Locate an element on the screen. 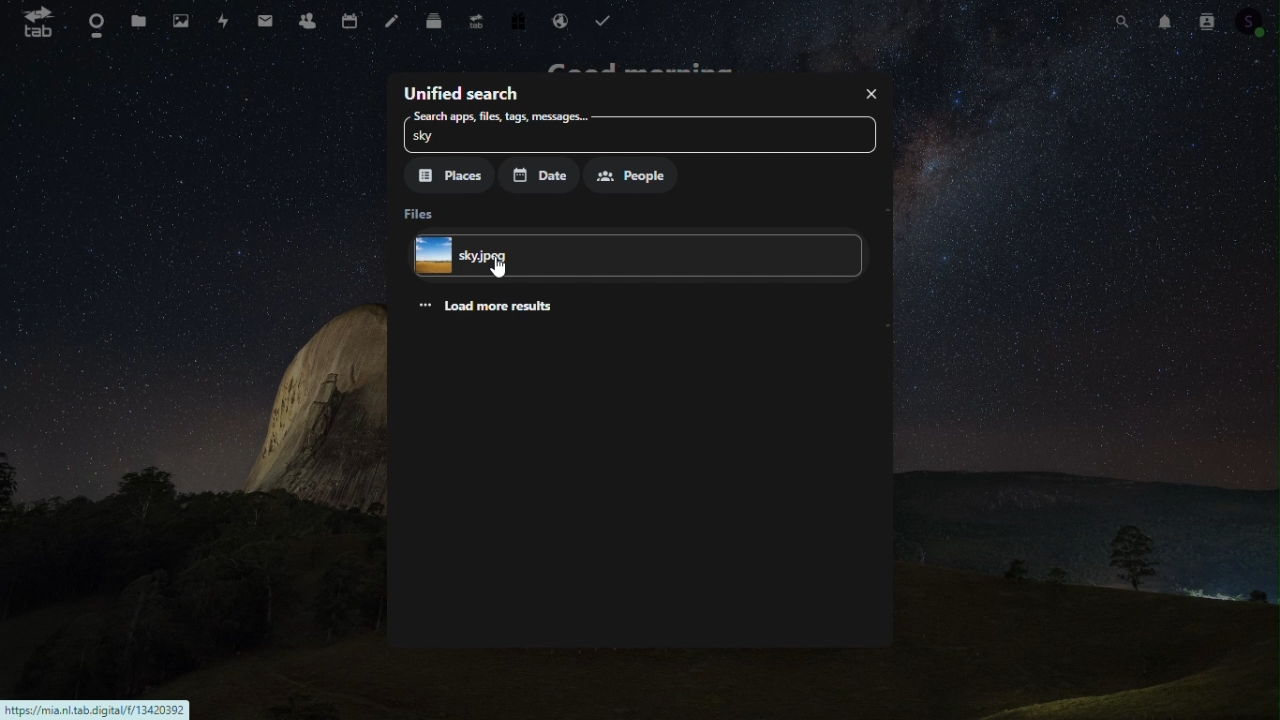 The width and height of the screenshot is (1280, 720). sky is located at coordinates (638, 139).